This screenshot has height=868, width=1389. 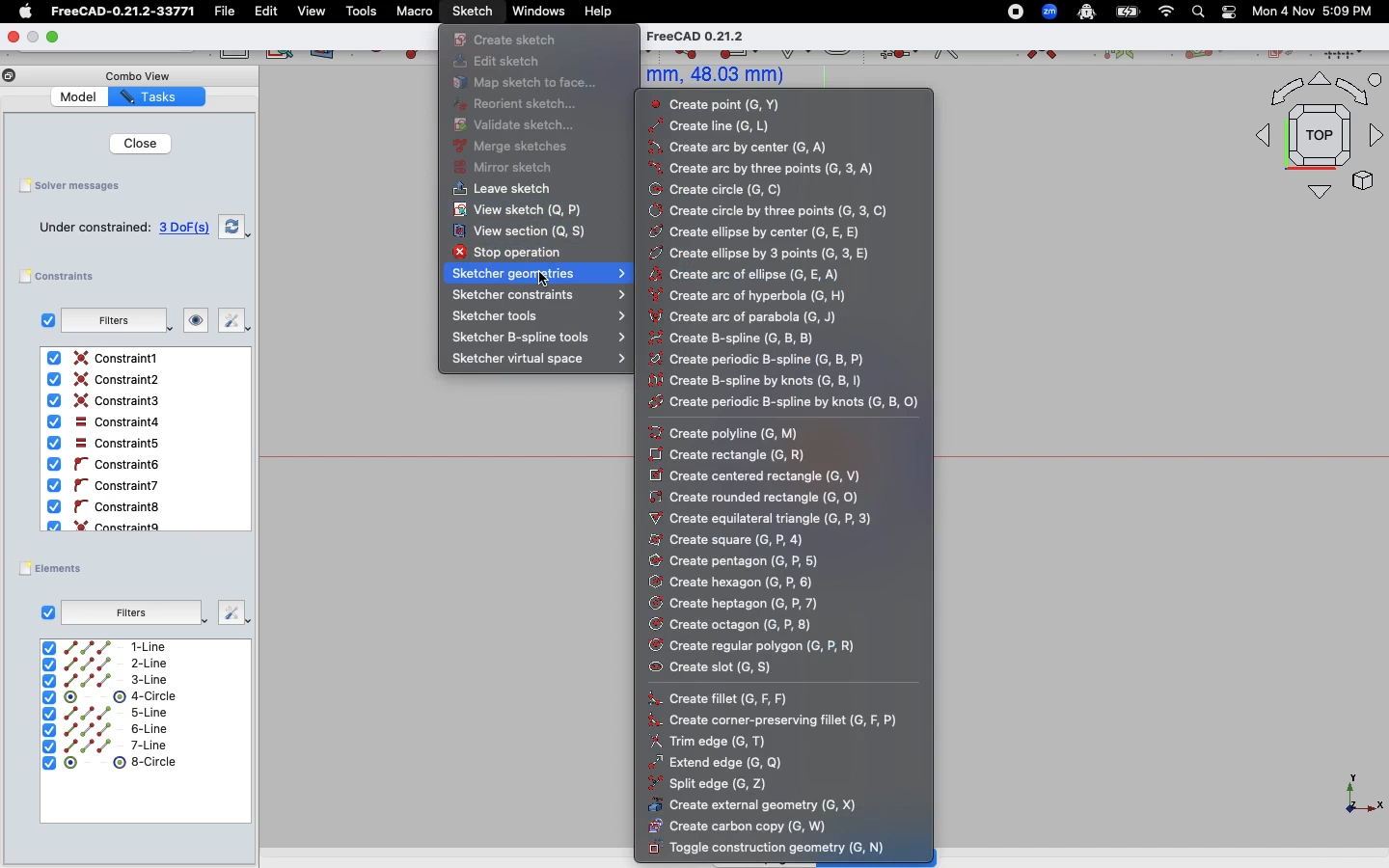 What do you see at coordinates (81, 98) in the screenshot?
I see `Model` at bounding box center [81, 98].